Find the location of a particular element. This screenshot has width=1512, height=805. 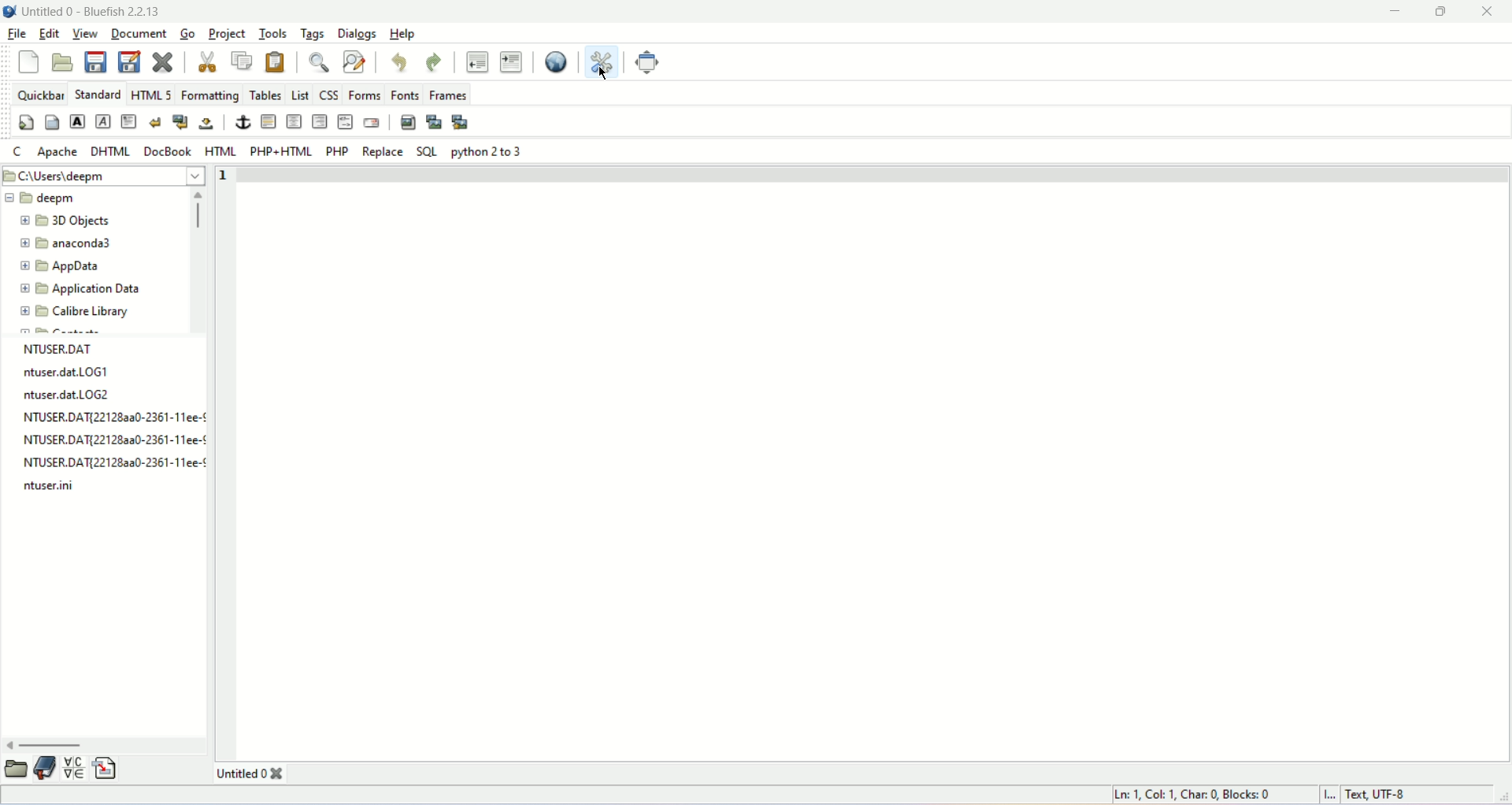

save is located at coordinates (95, 61).